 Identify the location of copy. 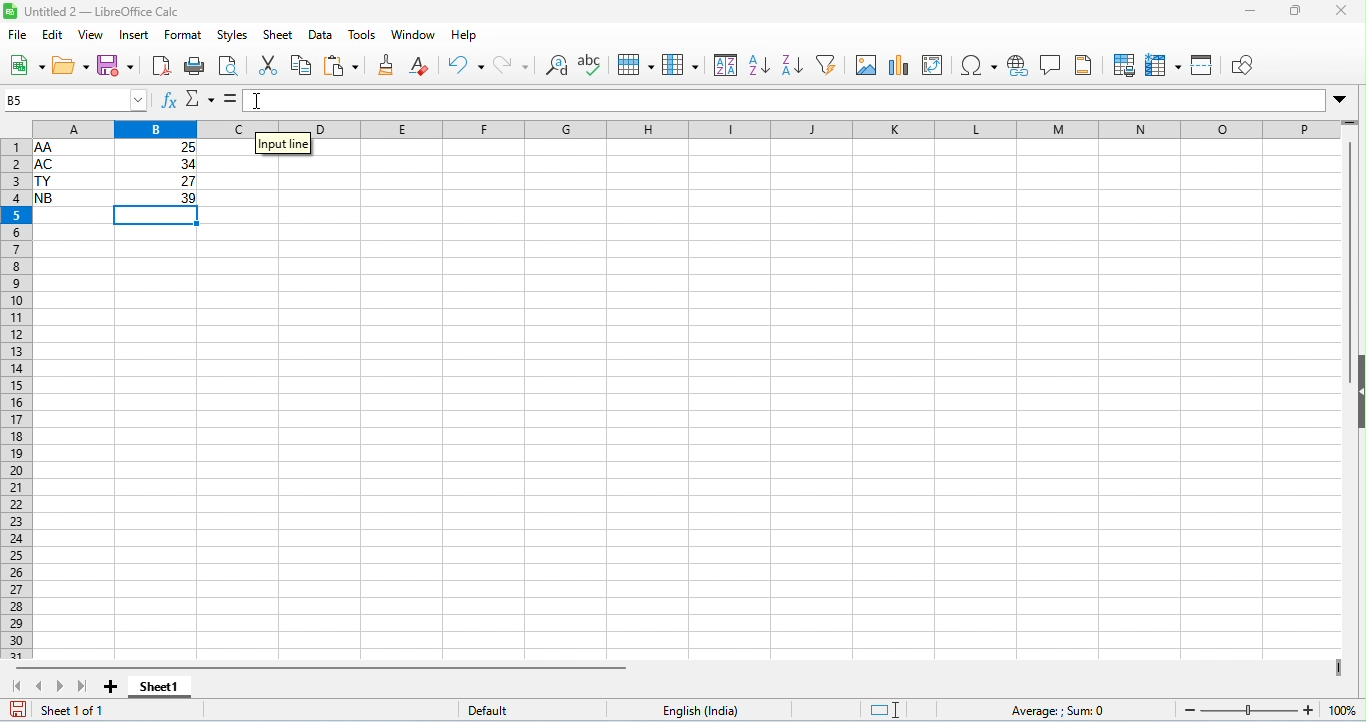
(302, 65).